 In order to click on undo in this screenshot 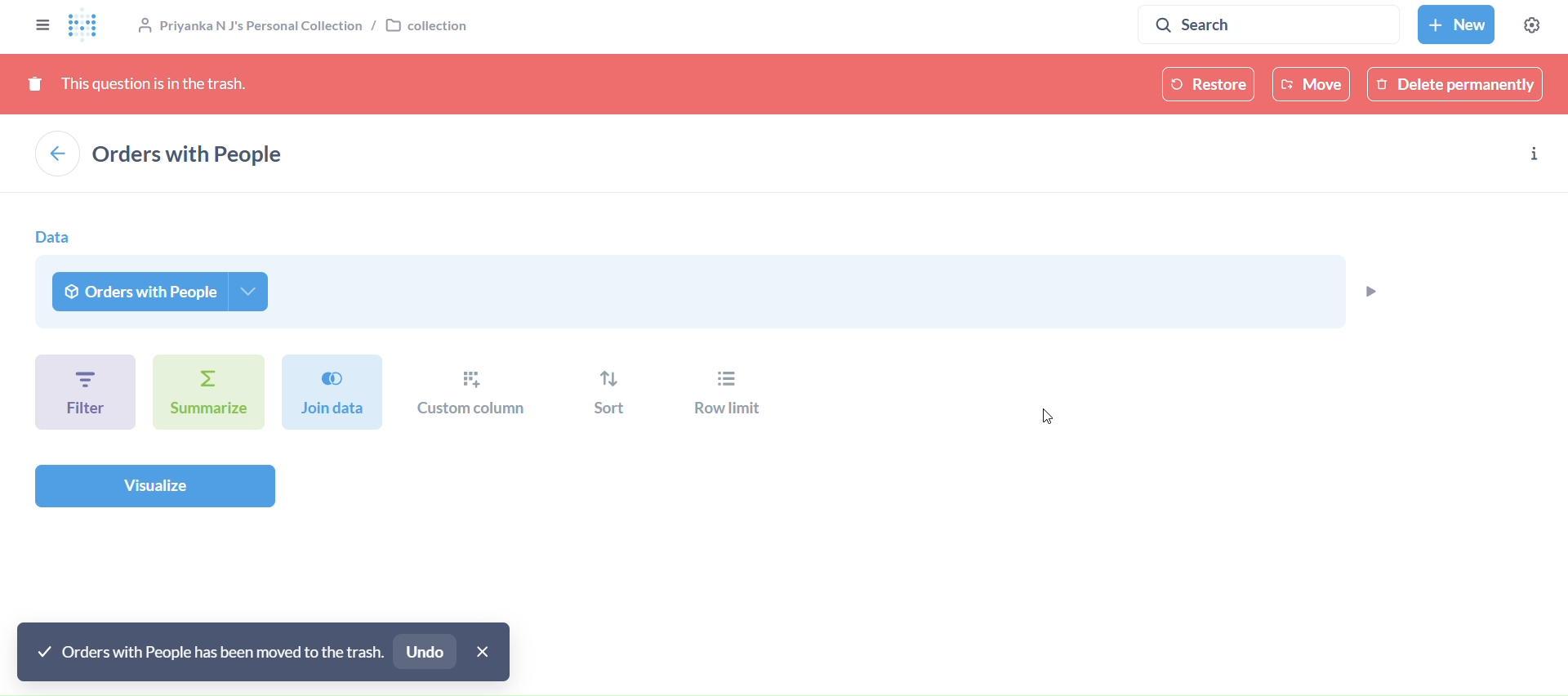, I will do `click(270, 652)`.